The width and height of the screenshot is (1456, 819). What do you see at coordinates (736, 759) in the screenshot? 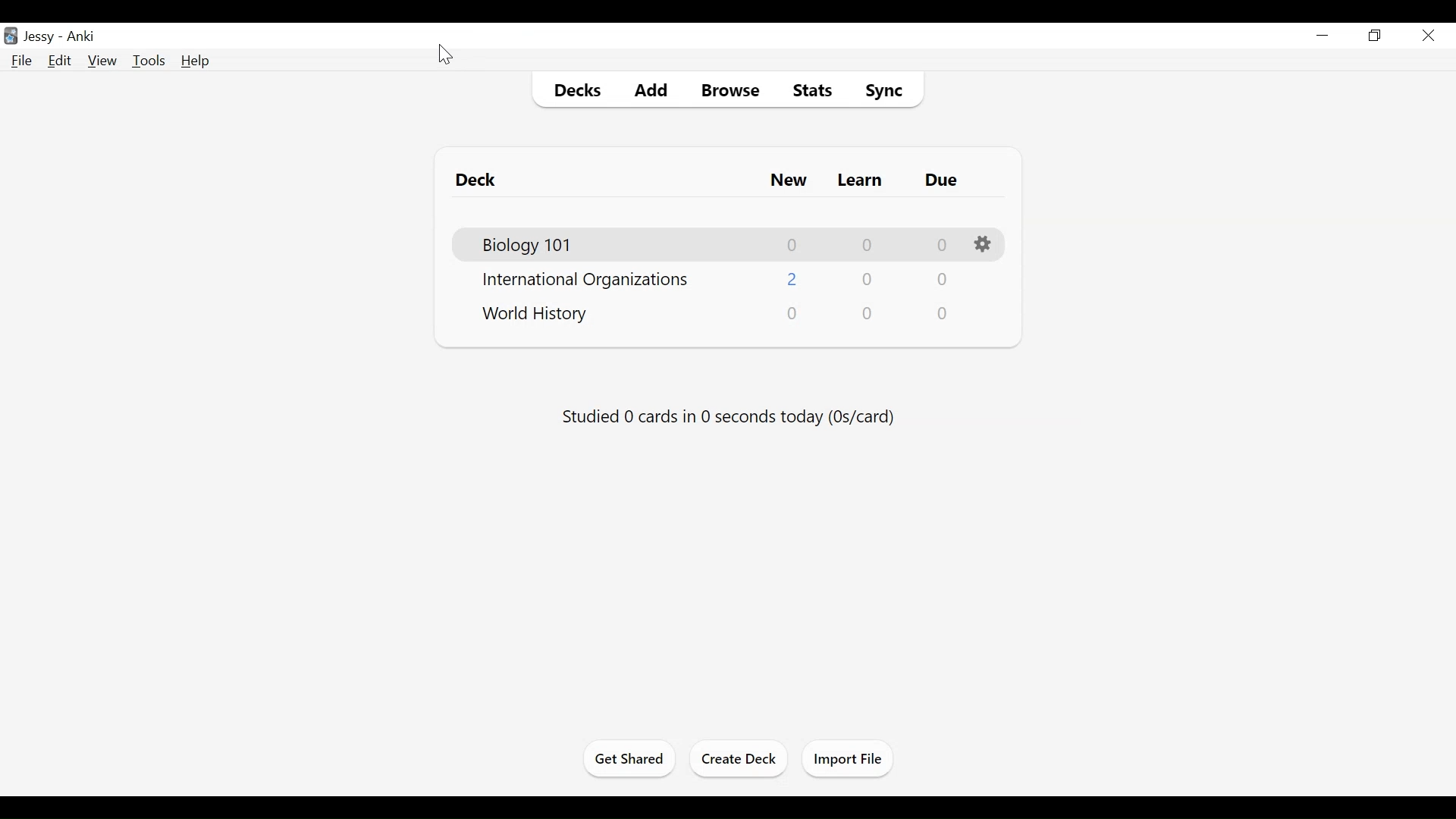
I see `Create Deck` at bounding box center [736, 759].